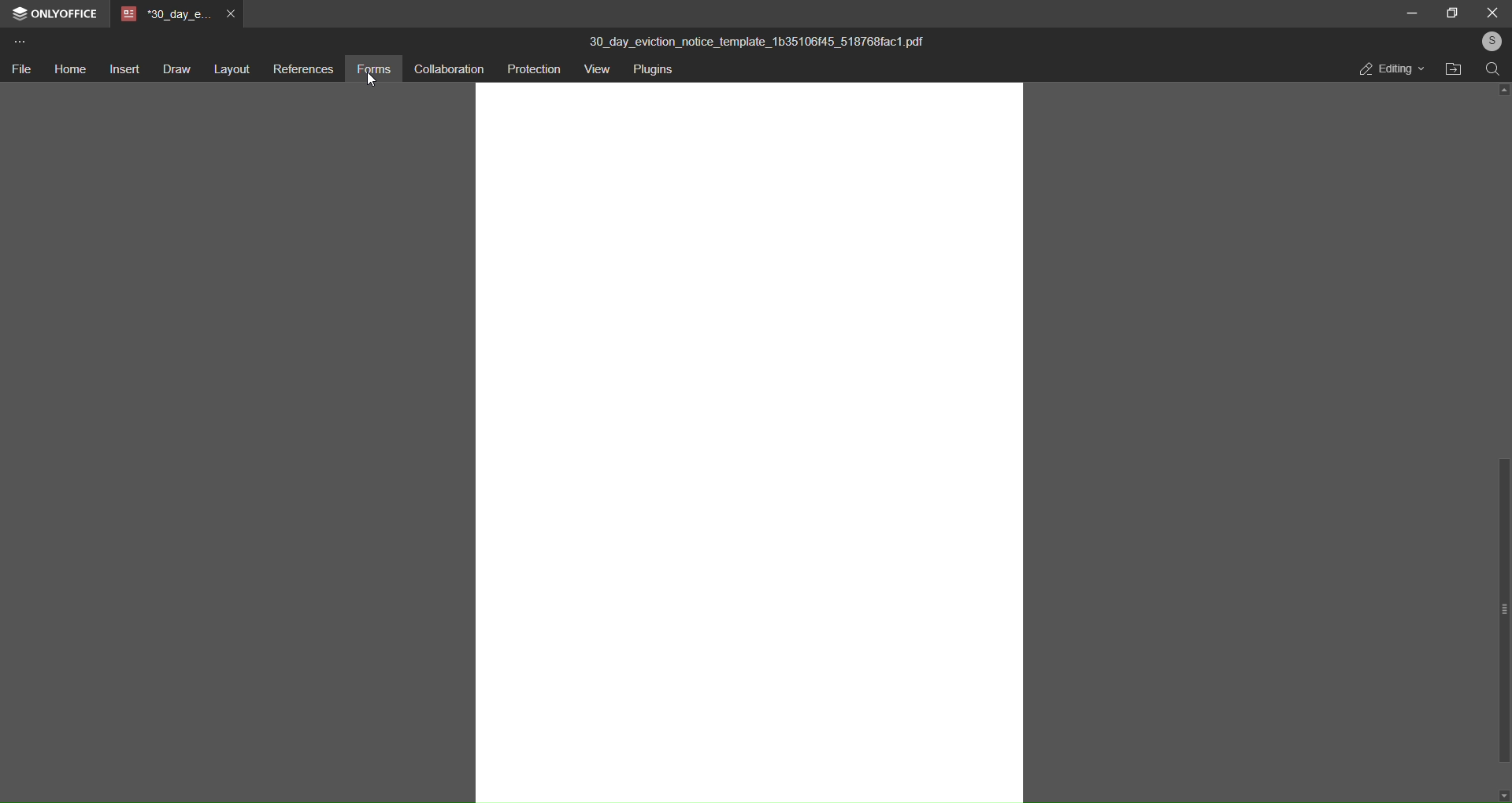  I want to click on canvas, so click(750, 444).